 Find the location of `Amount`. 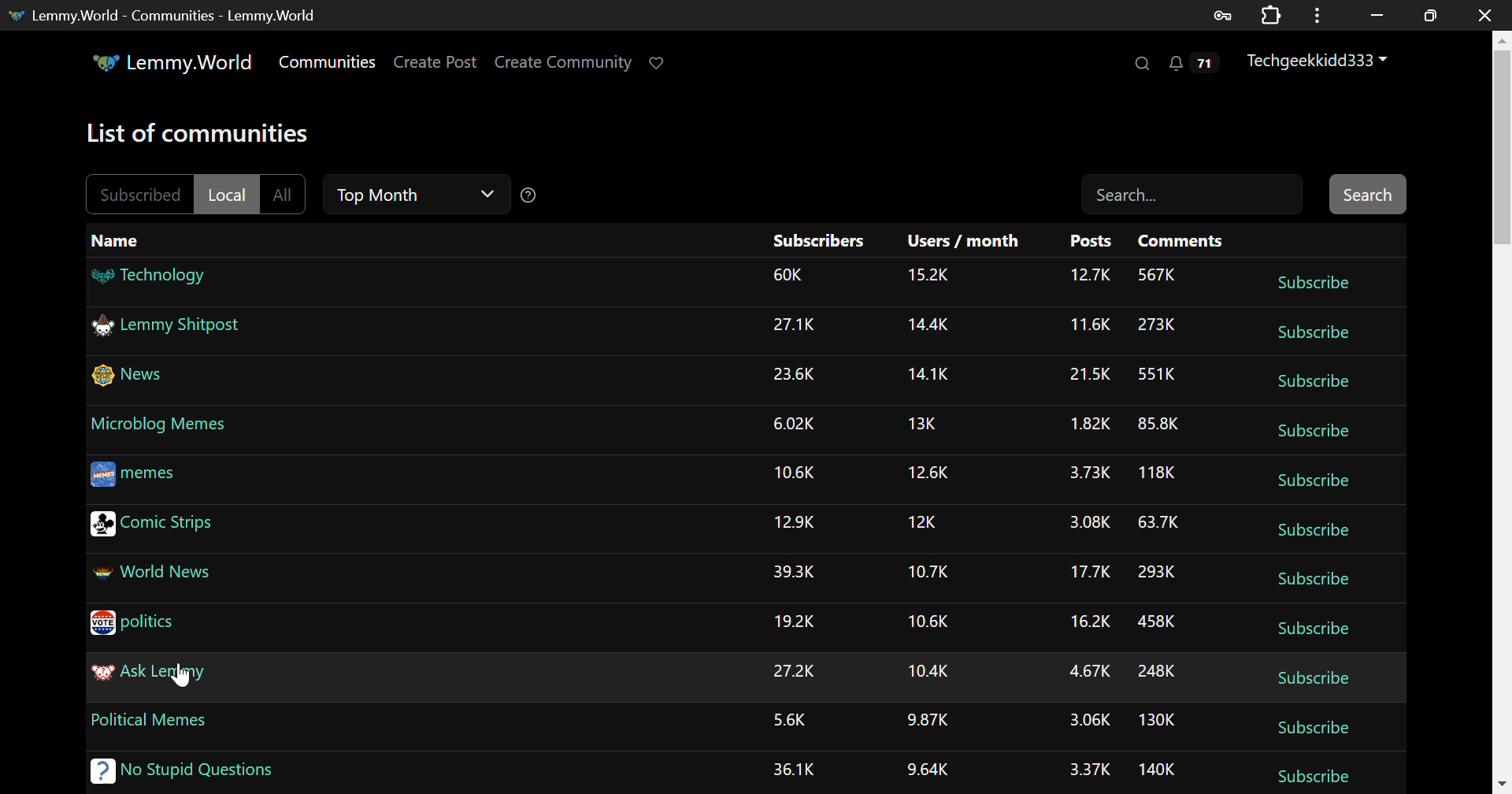

Amount is located at coordinates (927, 375).